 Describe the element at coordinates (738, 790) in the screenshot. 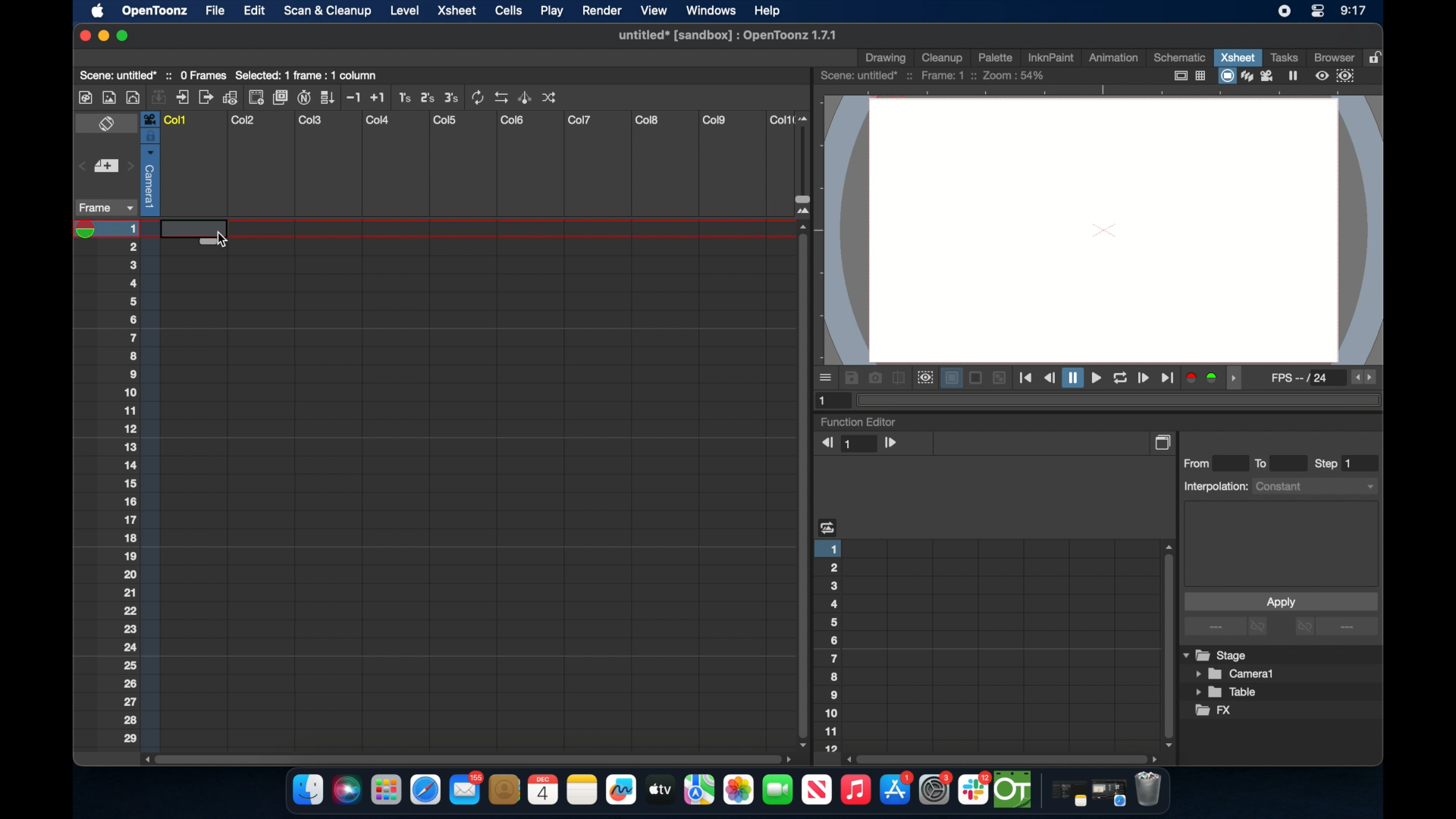

I see `photos` at that location.